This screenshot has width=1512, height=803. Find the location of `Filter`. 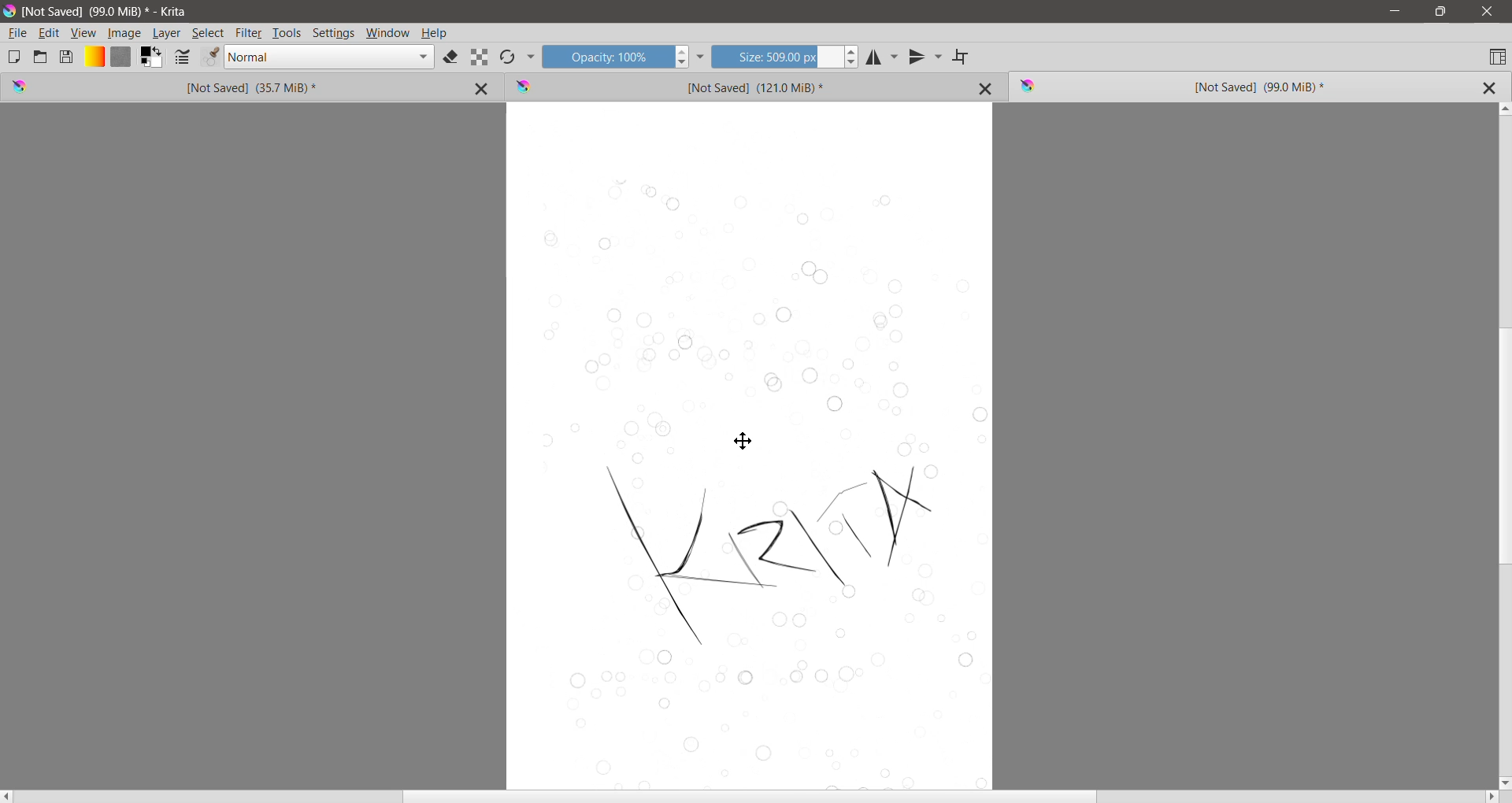

Filter is located at coordinates (249, 33).